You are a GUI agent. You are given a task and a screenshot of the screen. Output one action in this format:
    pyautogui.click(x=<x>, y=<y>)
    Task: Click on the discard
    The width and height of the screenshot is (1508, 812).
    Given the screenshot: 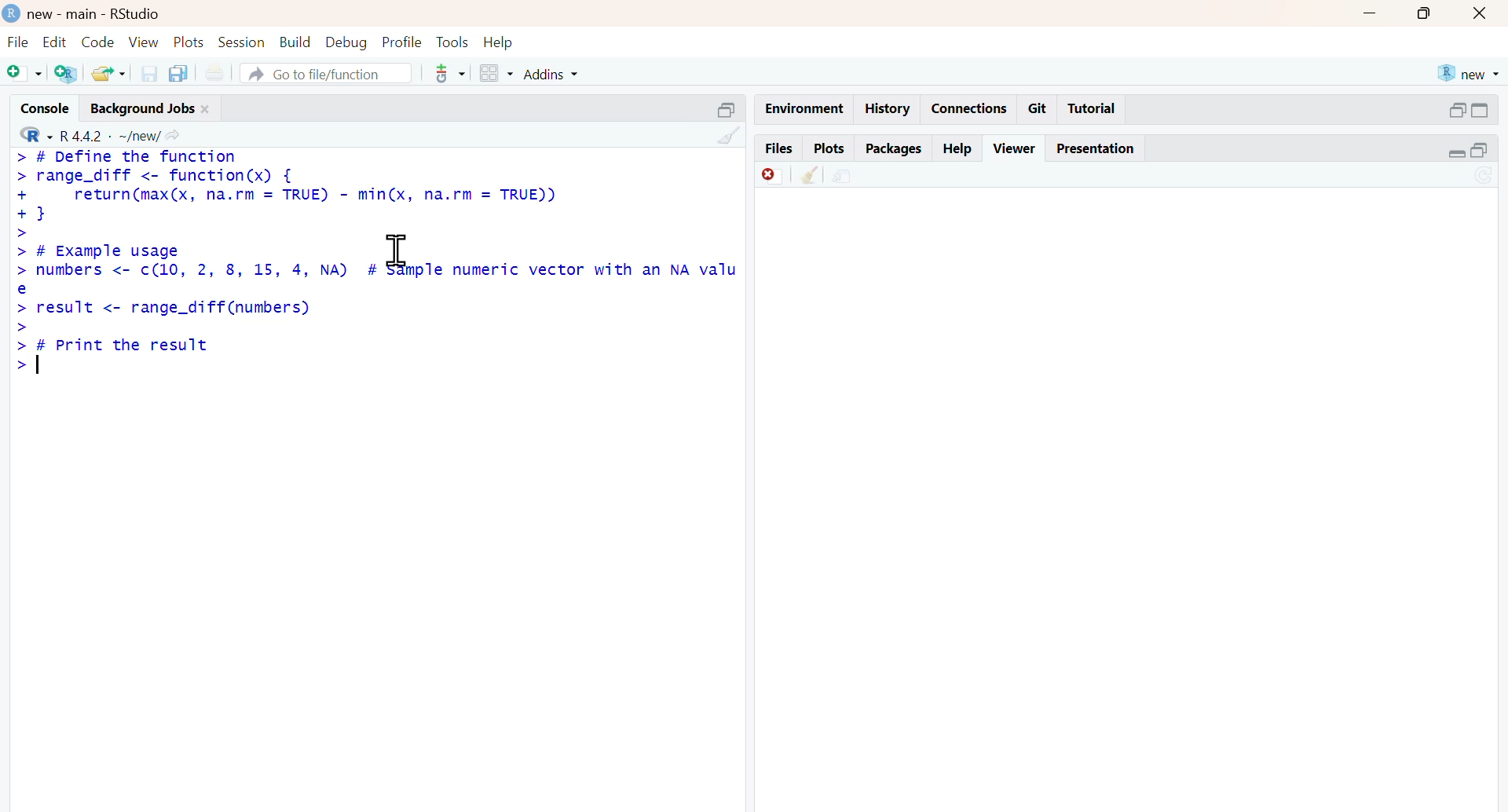 What is the action you would take?
    pyautogui.click(x=774, y=177)
    